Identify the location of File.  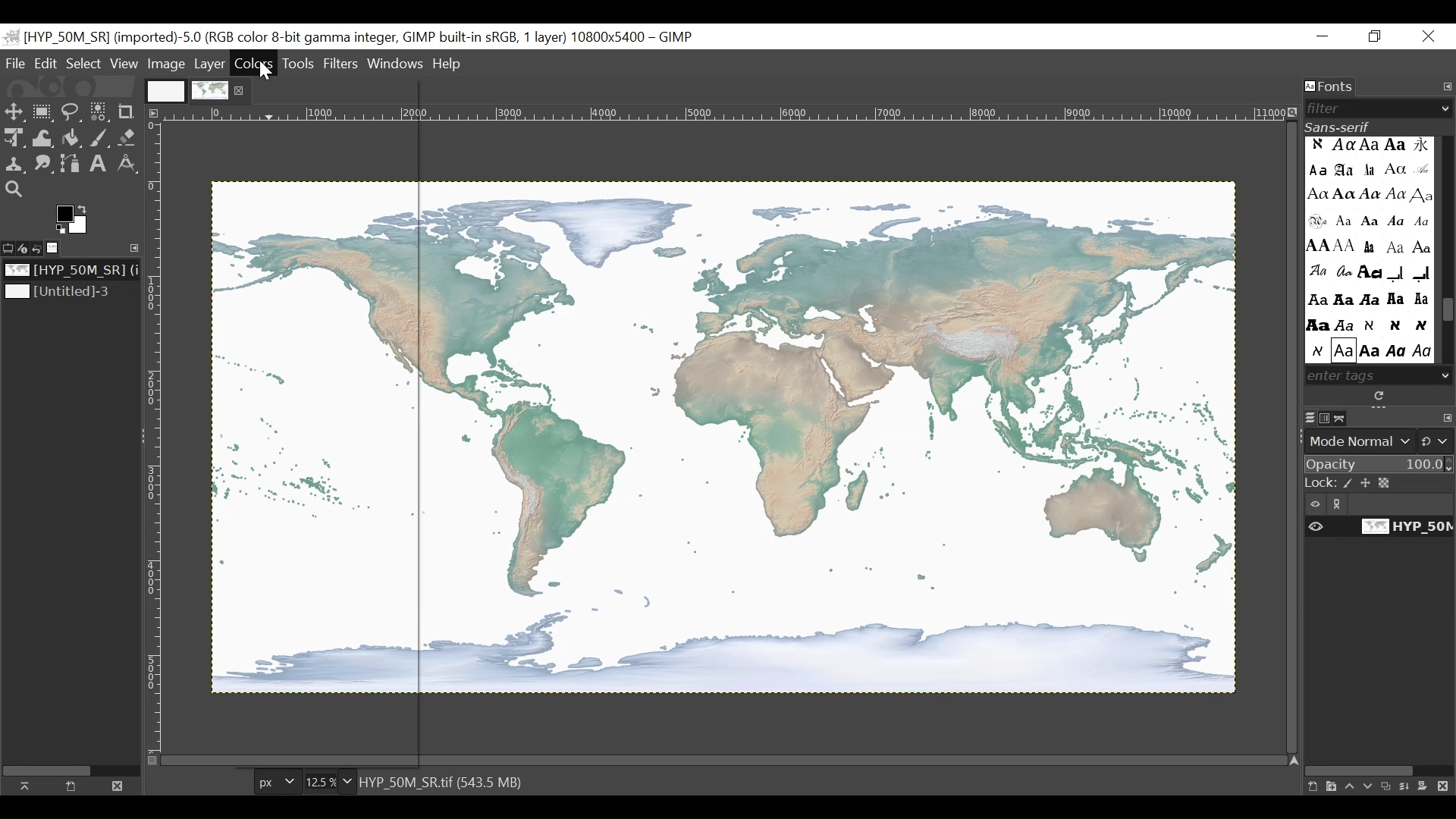
(17, 63).